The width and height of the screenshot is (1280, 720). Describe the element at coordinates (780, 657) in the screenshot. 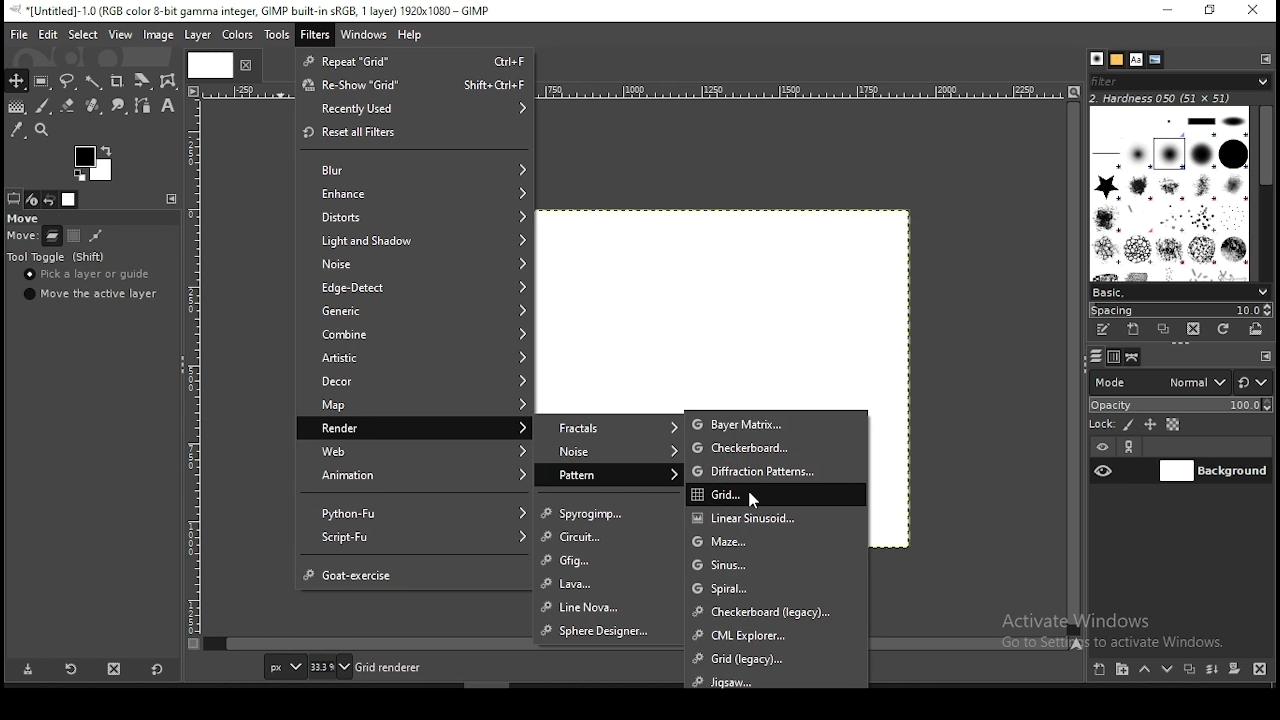

I see `grid legacy` at that location.